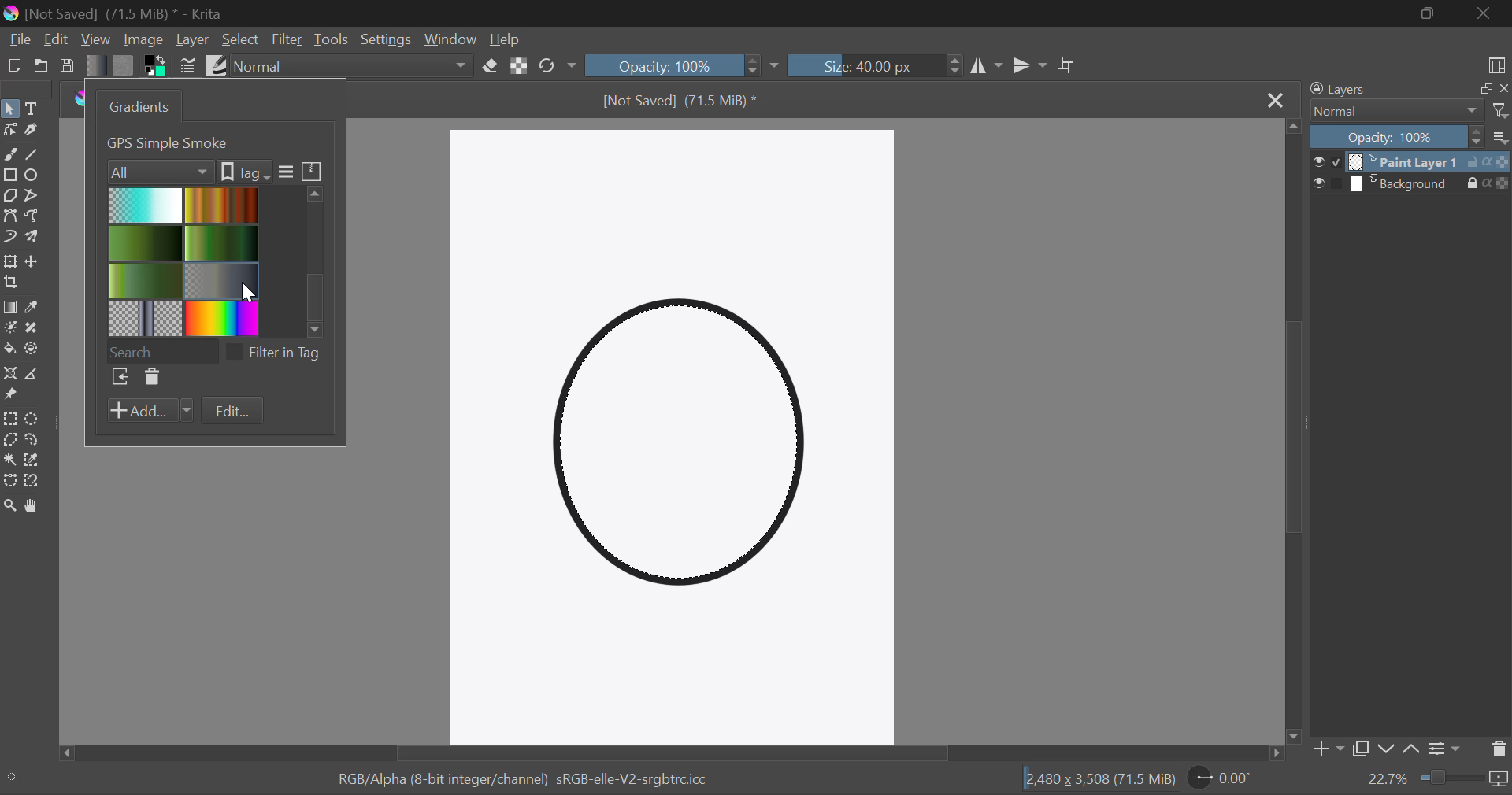  Describe the element at coordinates (1362, 749) in the screenshot. I see `Copy Layer` at that location.